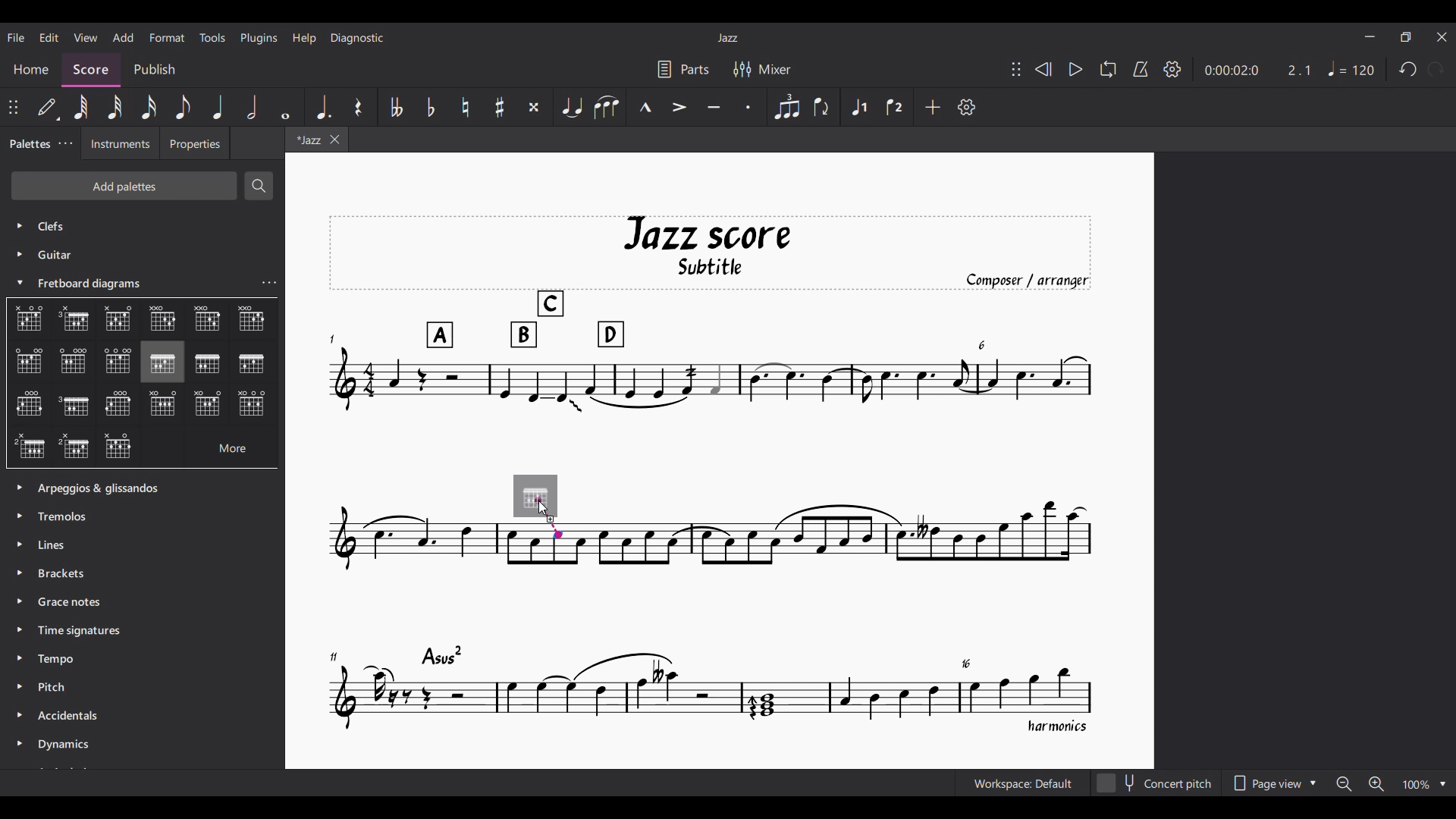  I want to click on Current score, so click(711, 475).